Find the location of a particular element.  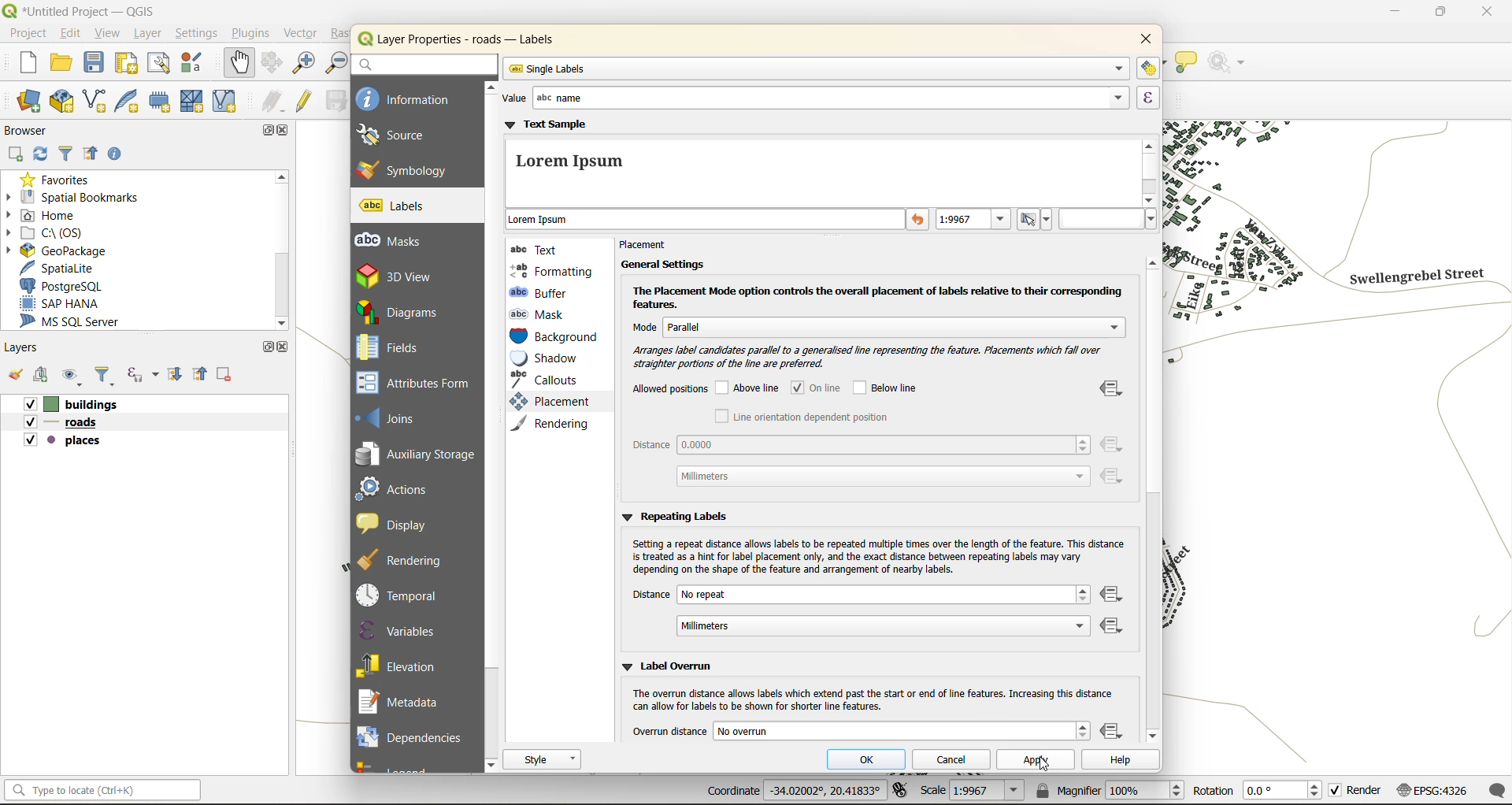

log messages is located at coordinates (1493, 791).